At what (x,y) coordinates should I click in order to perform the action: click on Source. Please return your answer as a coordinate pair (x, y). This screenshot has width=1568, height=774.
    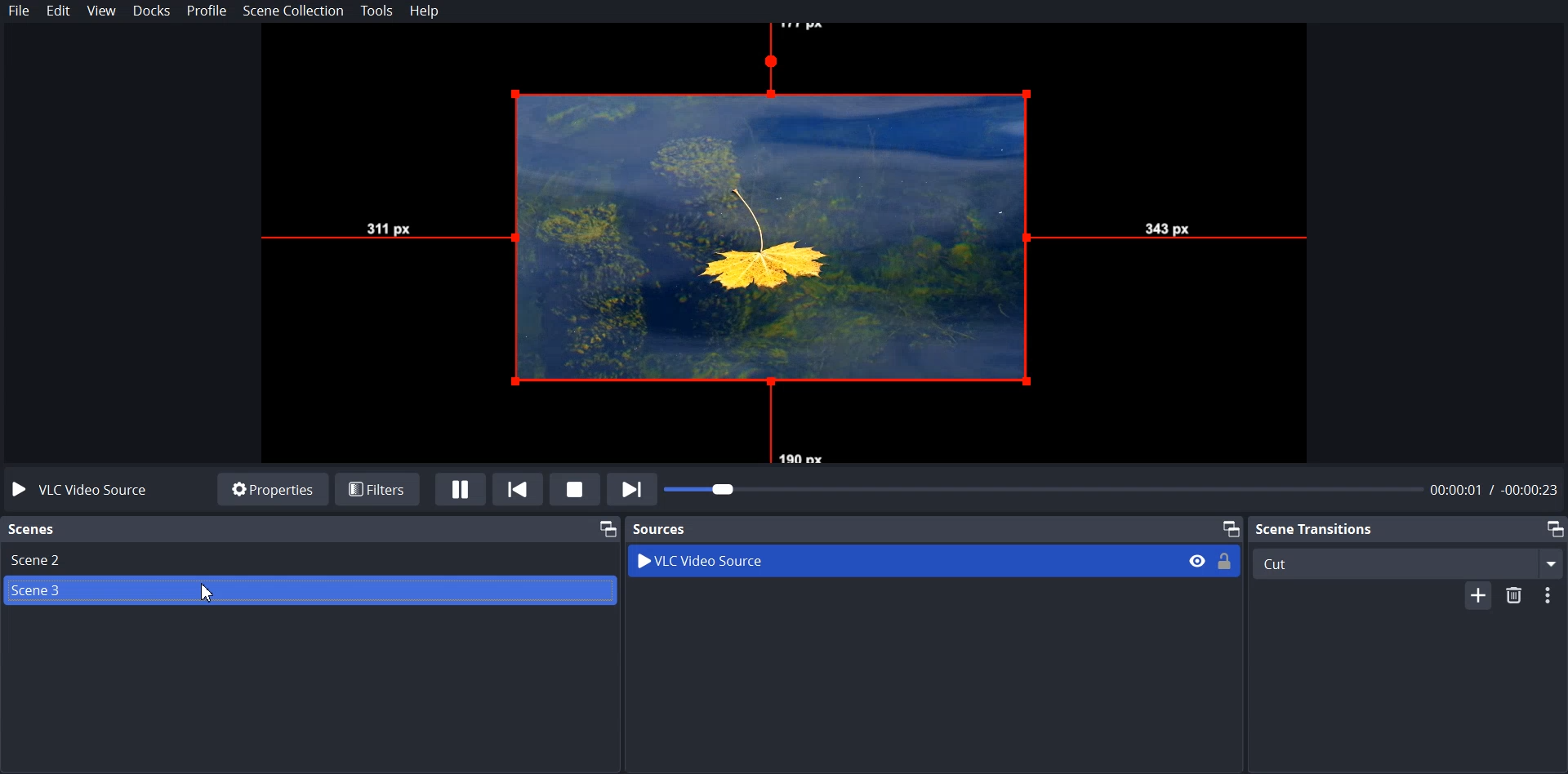
    Looking at the image, I should click on (661, 528).